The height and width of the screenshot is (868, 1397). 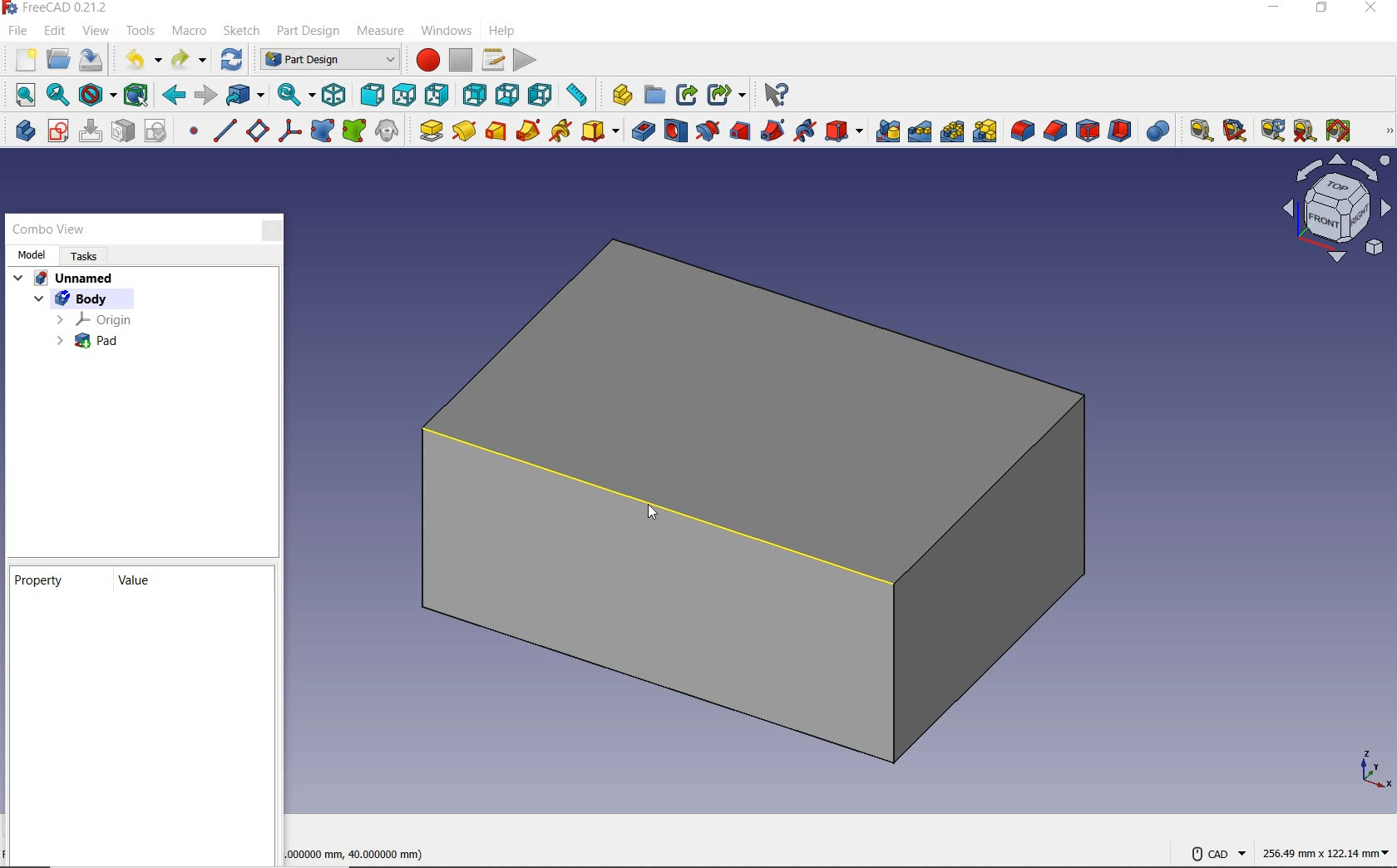 What do you see at coordinates (93, 319) in the screenshot?
I see `origin` at bounding box center [93, 319].